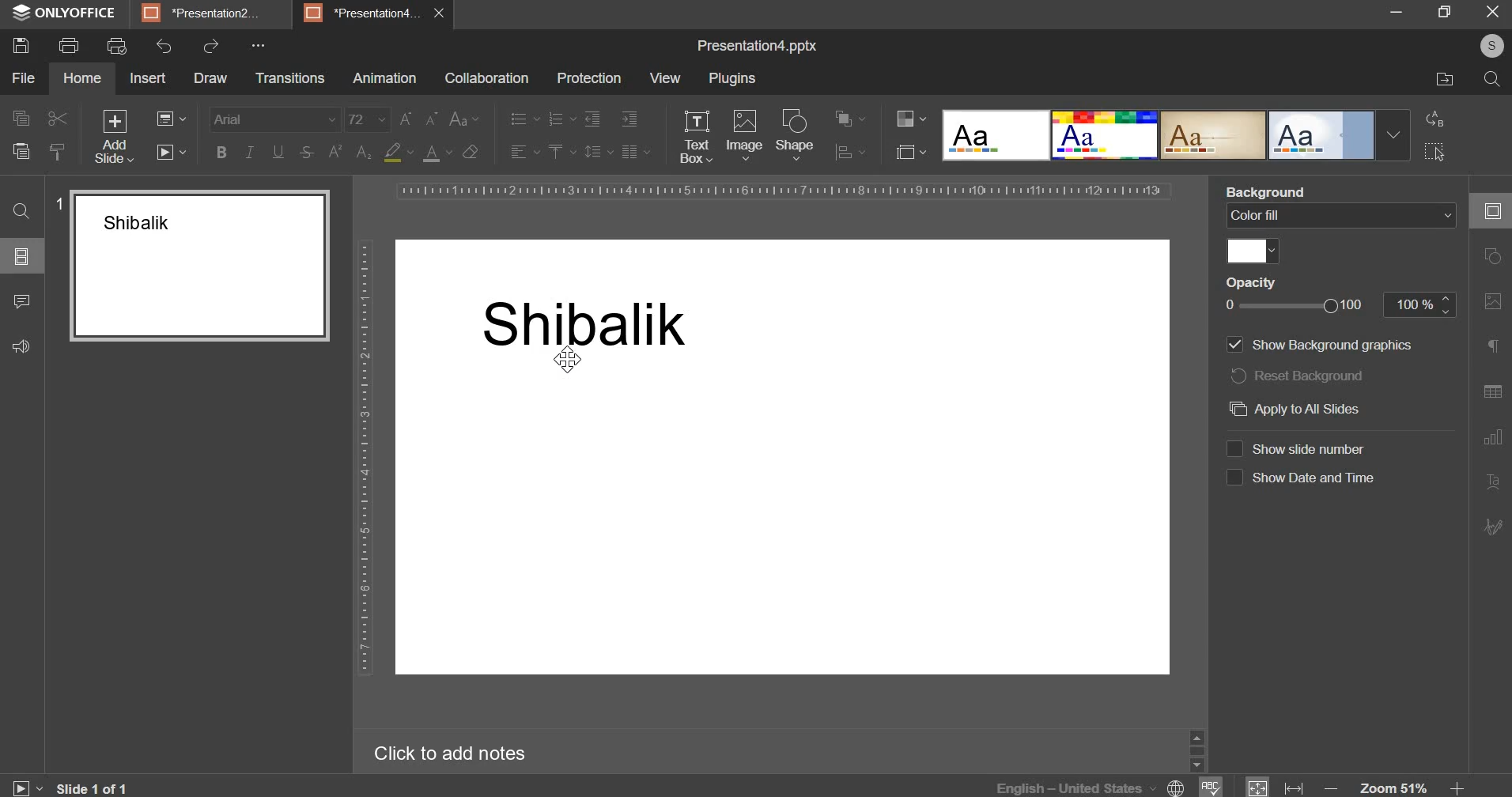 This screenshot has width=1512, height=797. I want to click on shape, so click(797, 134).